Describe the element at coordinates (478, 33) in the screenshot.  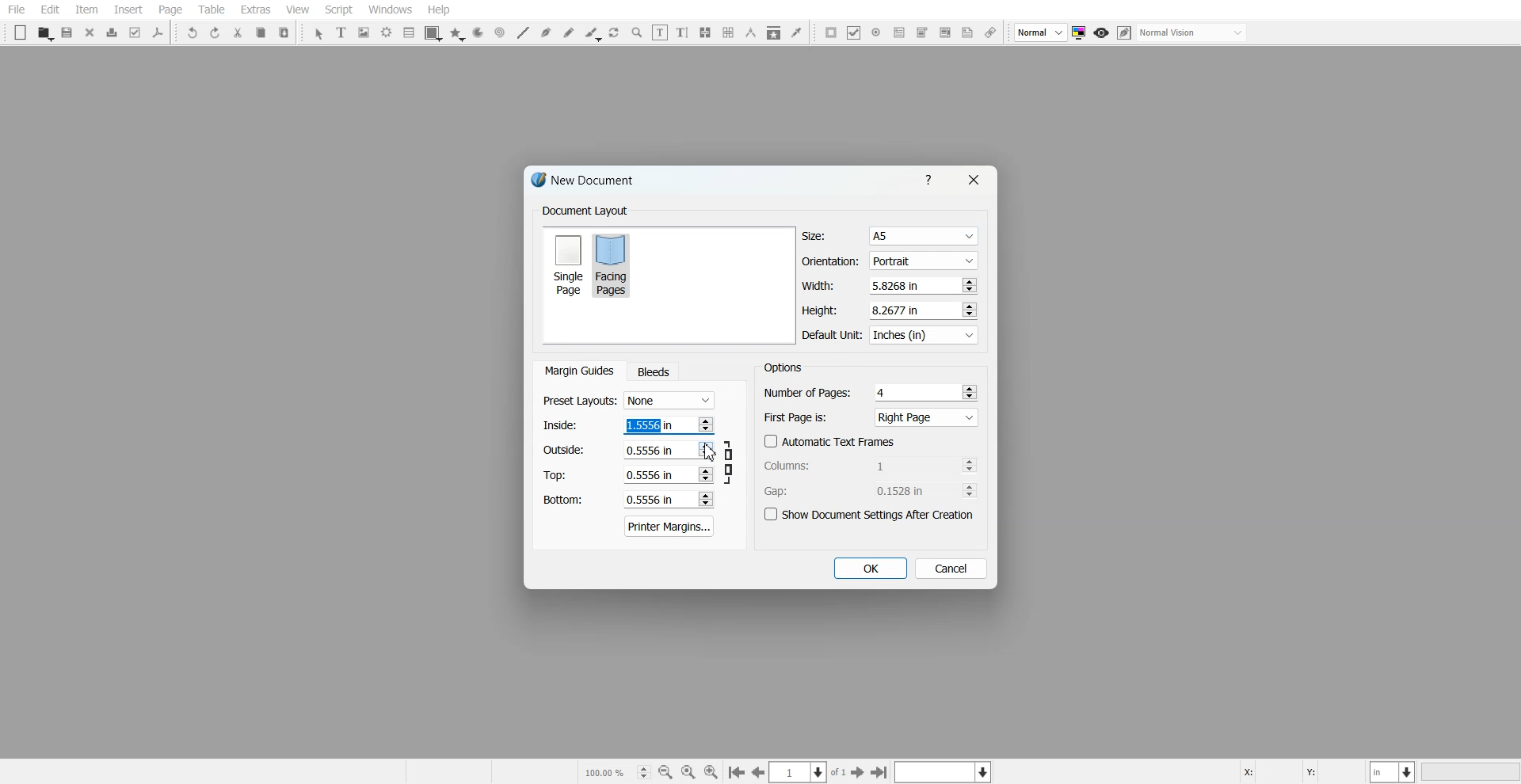
I see `Arc` at that location.